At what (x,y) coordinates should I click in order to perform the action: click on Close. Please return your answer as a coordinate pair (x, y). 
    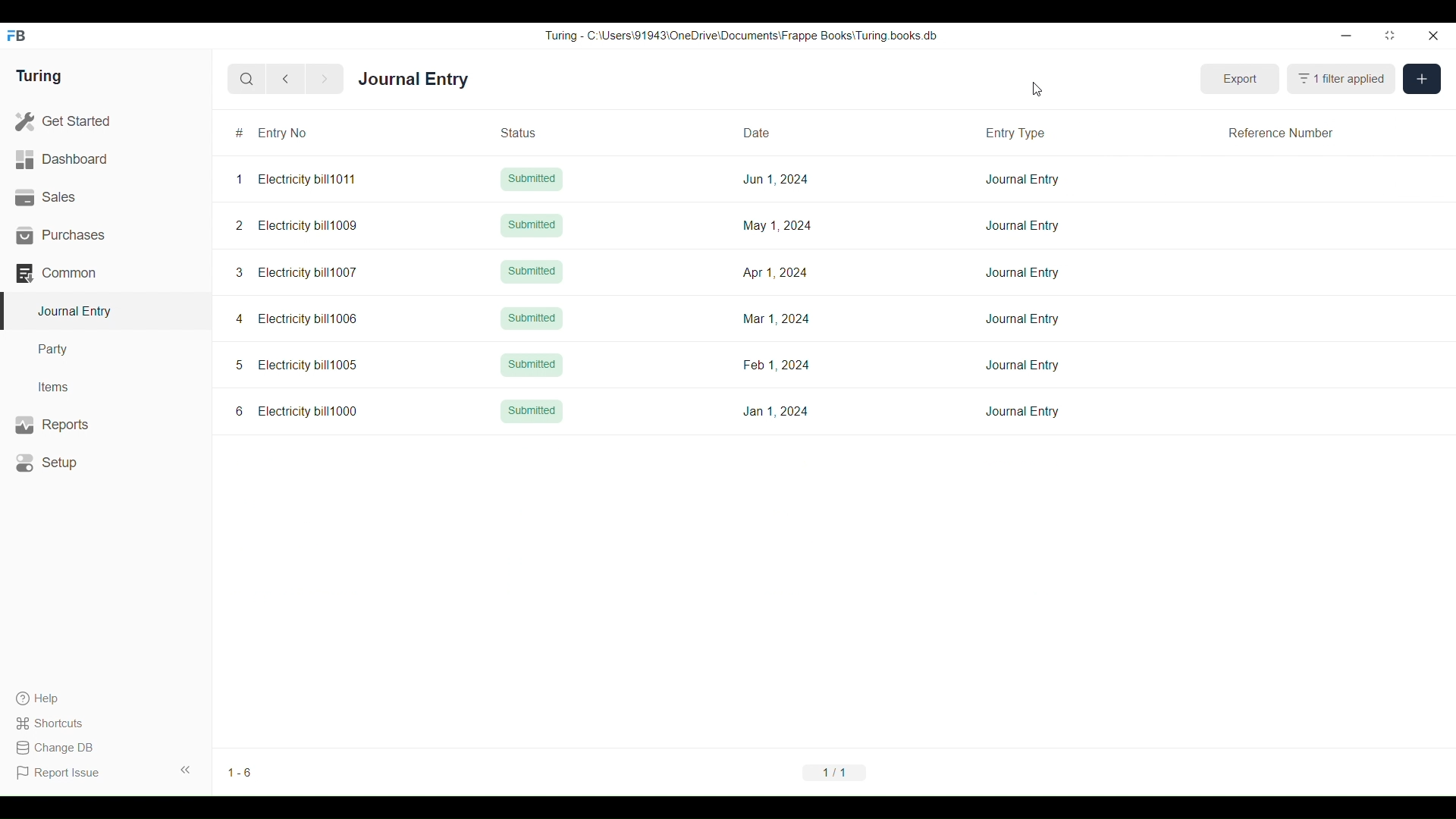
    Looking at the image, I should click on (1433, 36).